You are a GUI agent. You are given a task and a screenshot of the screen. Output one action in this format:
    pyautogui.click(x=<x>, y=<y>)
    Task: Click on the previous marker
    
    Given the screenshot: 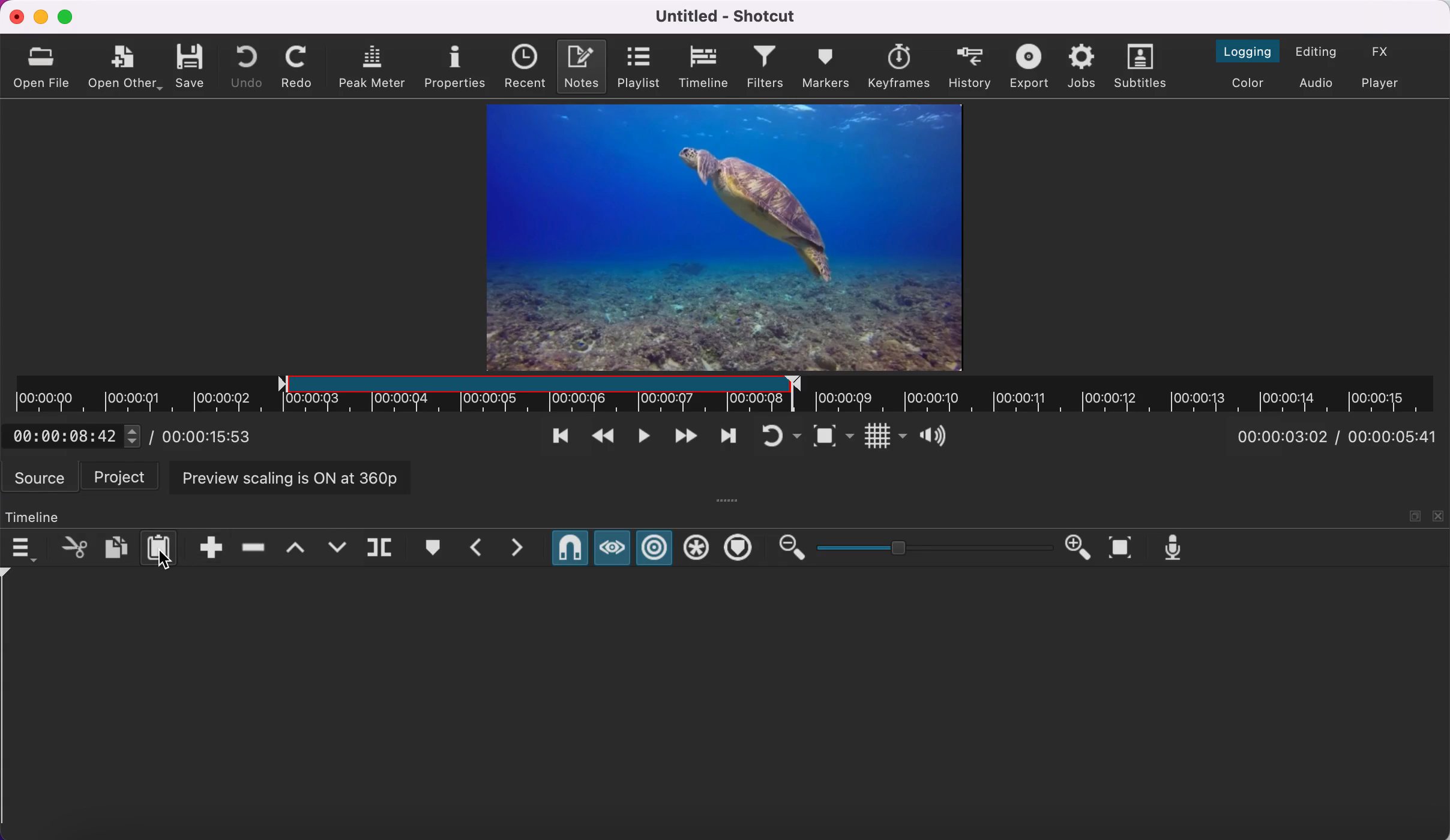 What is the action you would take?
    pyautogui.click(x=476, y=547)
    